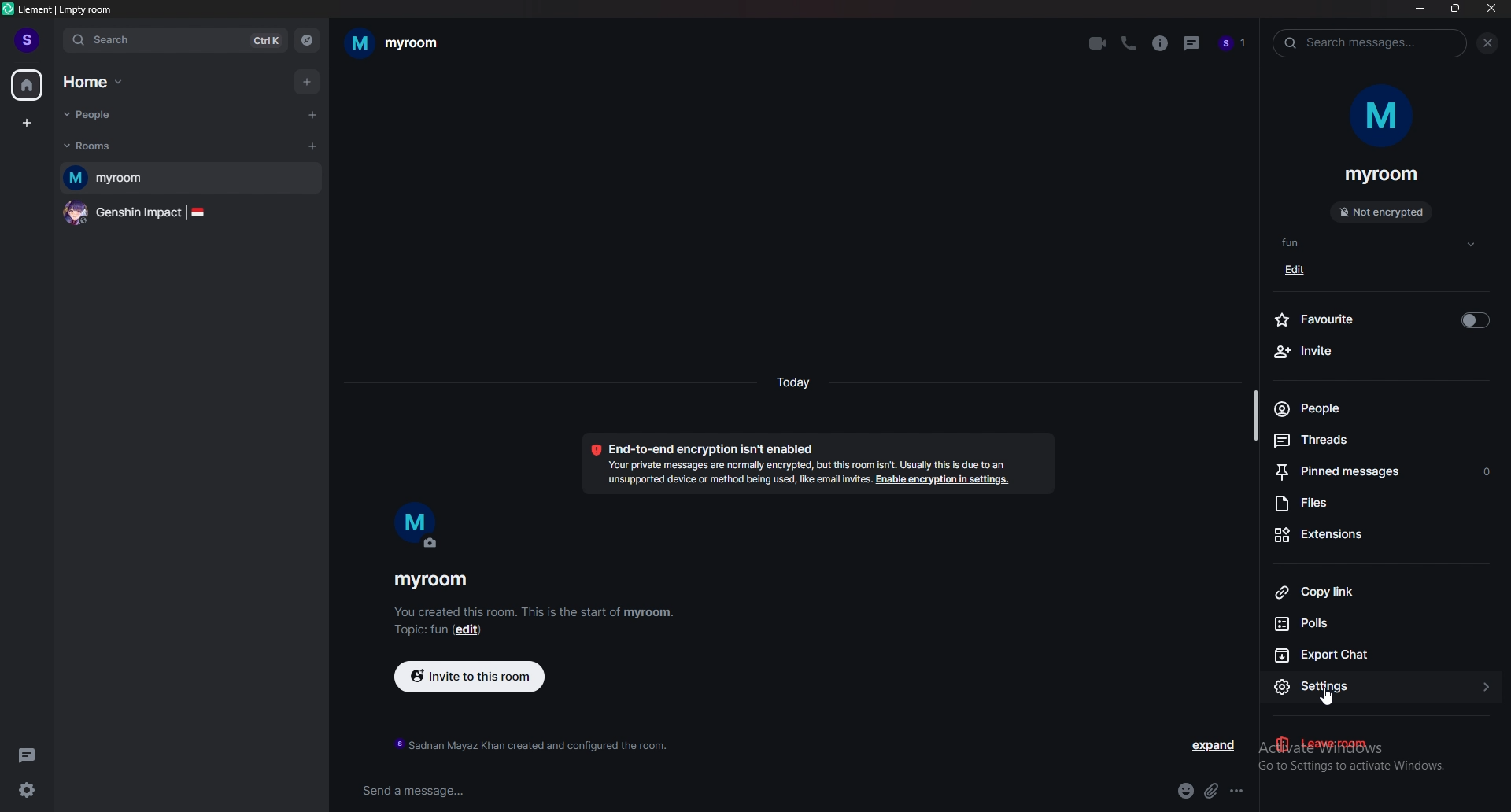 The width and height of the screenshot is (1511, 812). I want to click on my room, so click(403, 42).